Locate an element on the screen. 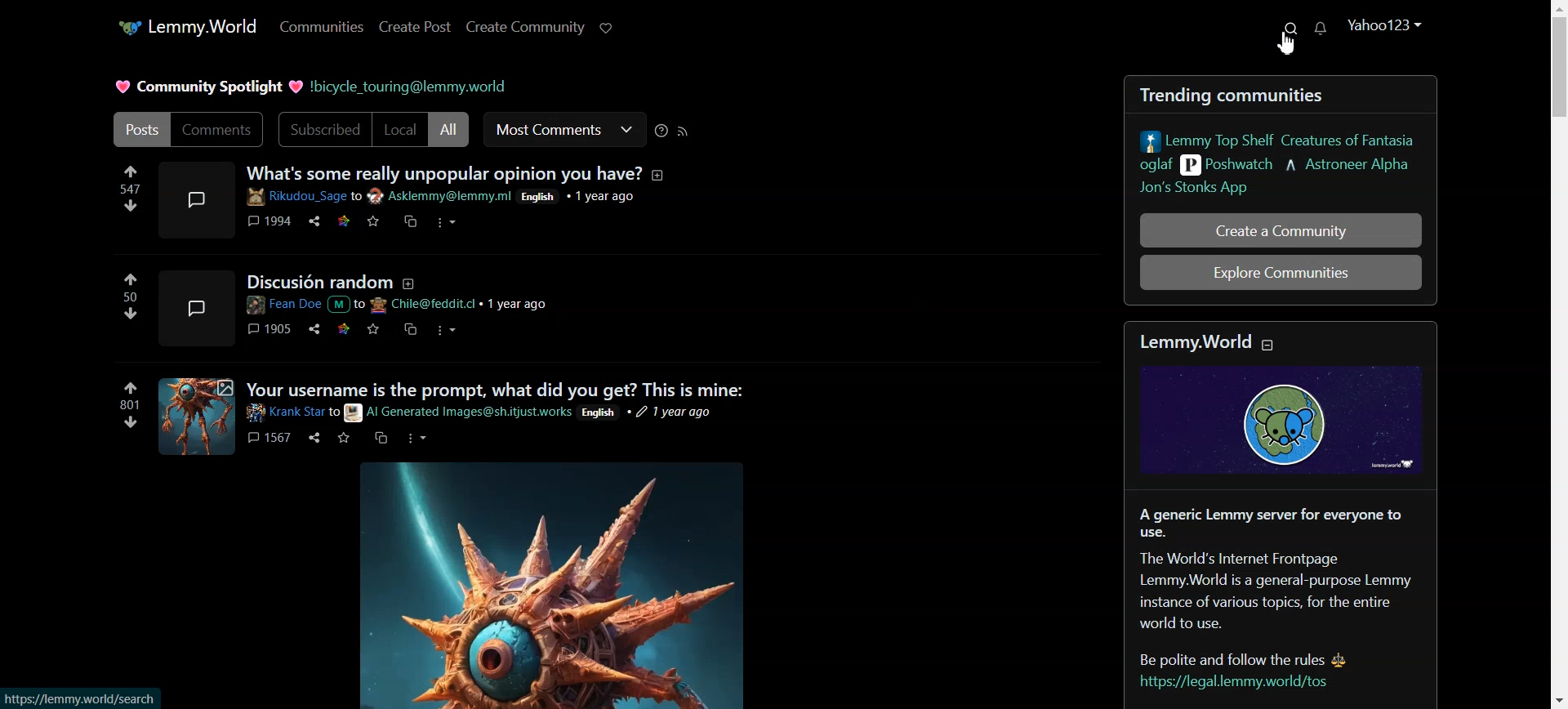  Jon's Stonks App is located at coordinates (1192, 187).